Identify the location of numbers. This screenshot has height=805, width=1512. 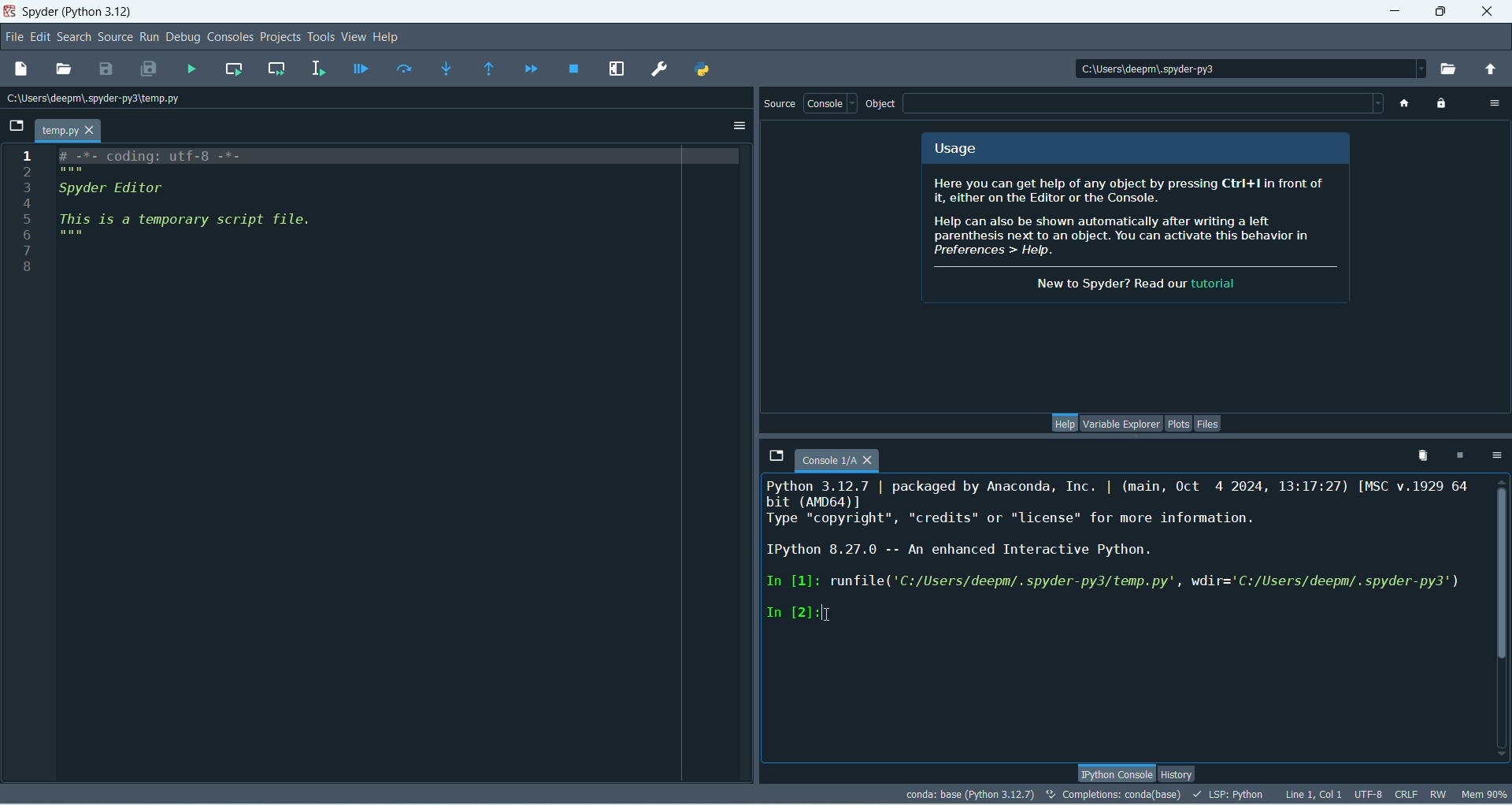
(28, 210).